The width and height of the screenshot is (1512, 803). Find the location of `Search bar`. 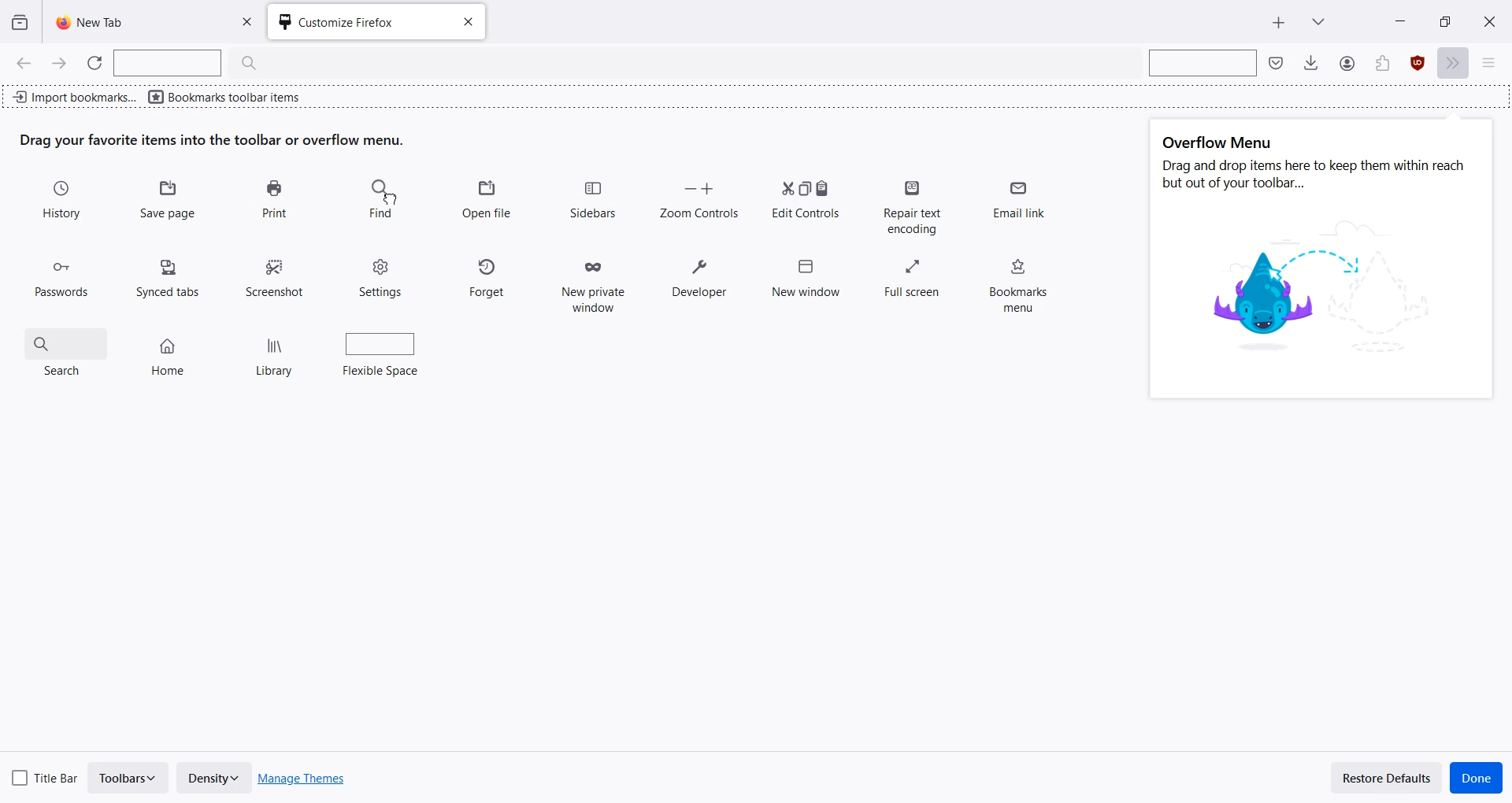

Search bar is located at coordinates (1200, 62).